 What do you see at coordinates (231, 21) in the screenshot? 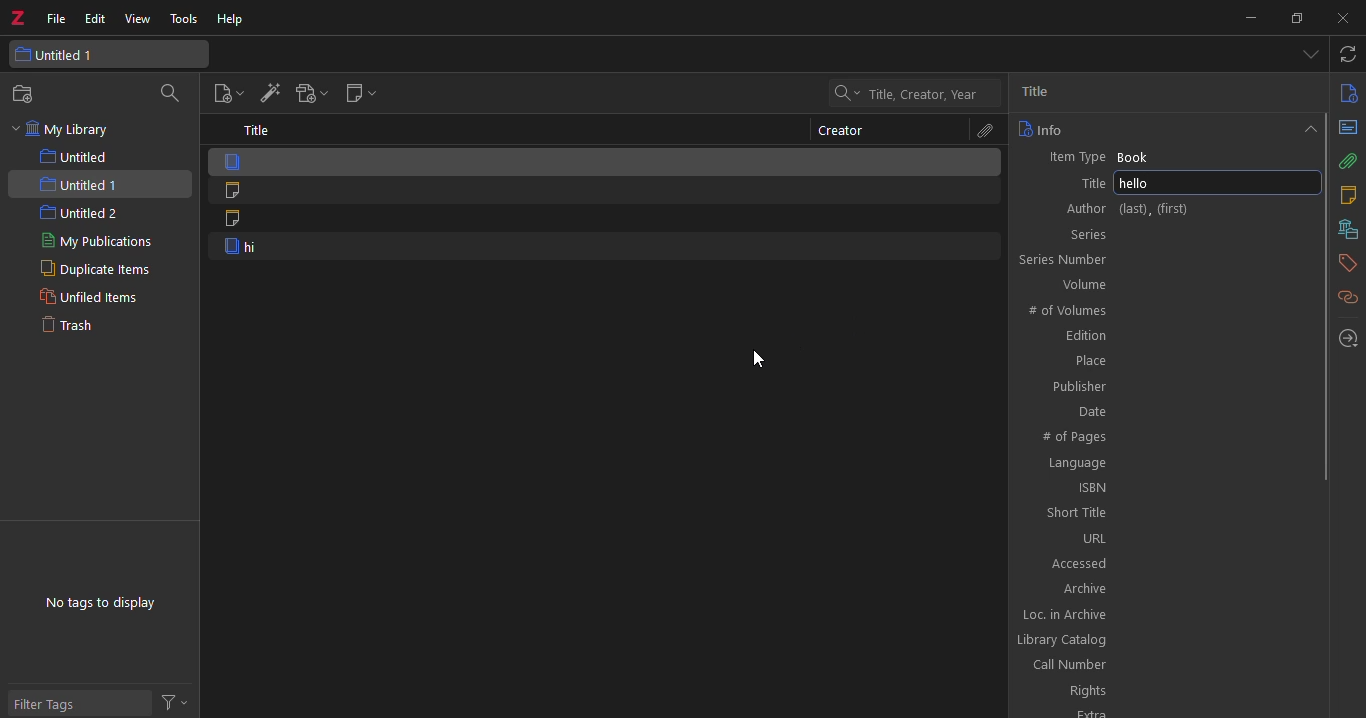
I see `help` at bounding box center [231, 21].